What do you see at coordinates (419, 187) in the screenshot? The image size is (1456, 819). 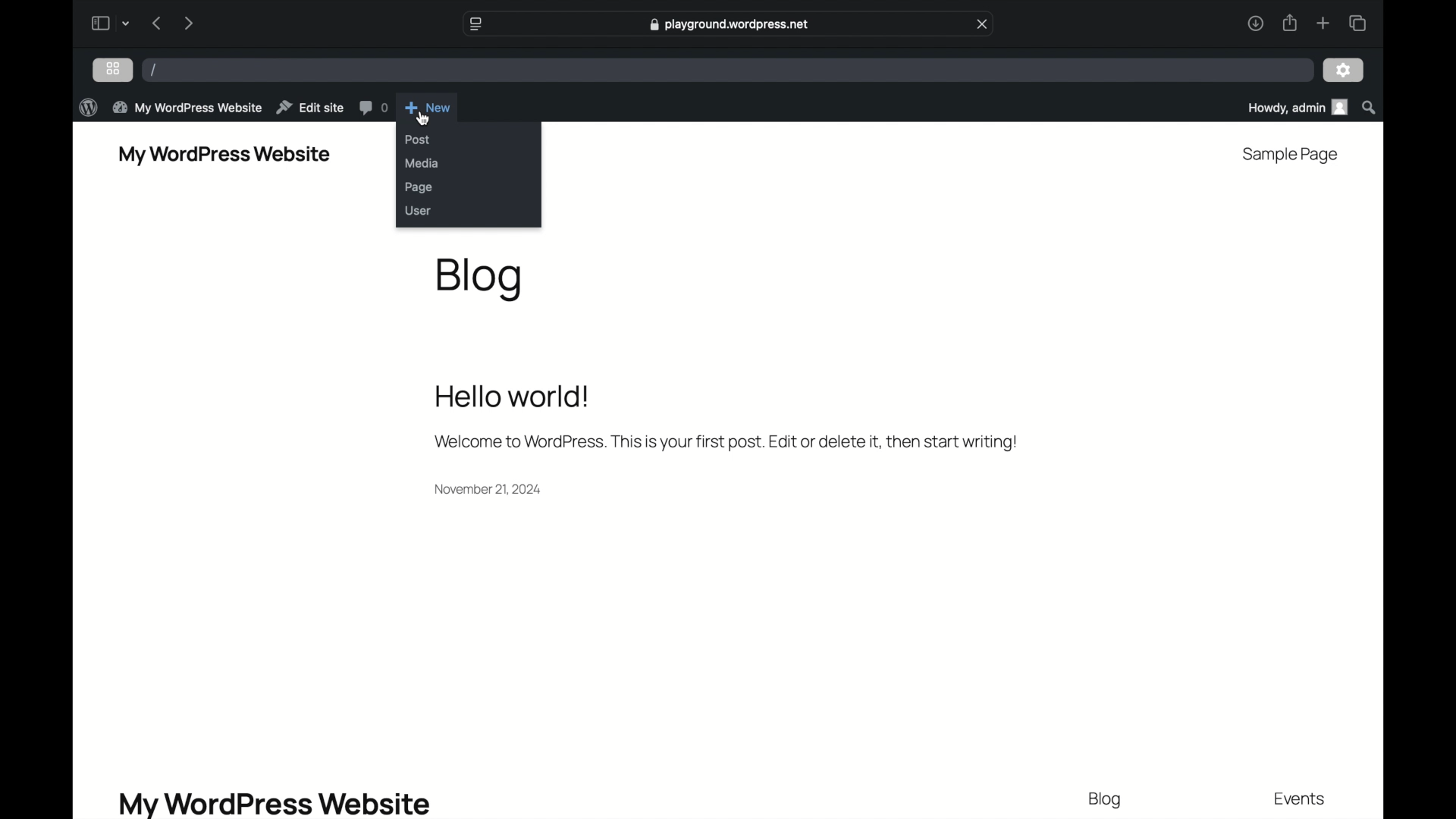 I see `page` at bounding box center [419, 187].